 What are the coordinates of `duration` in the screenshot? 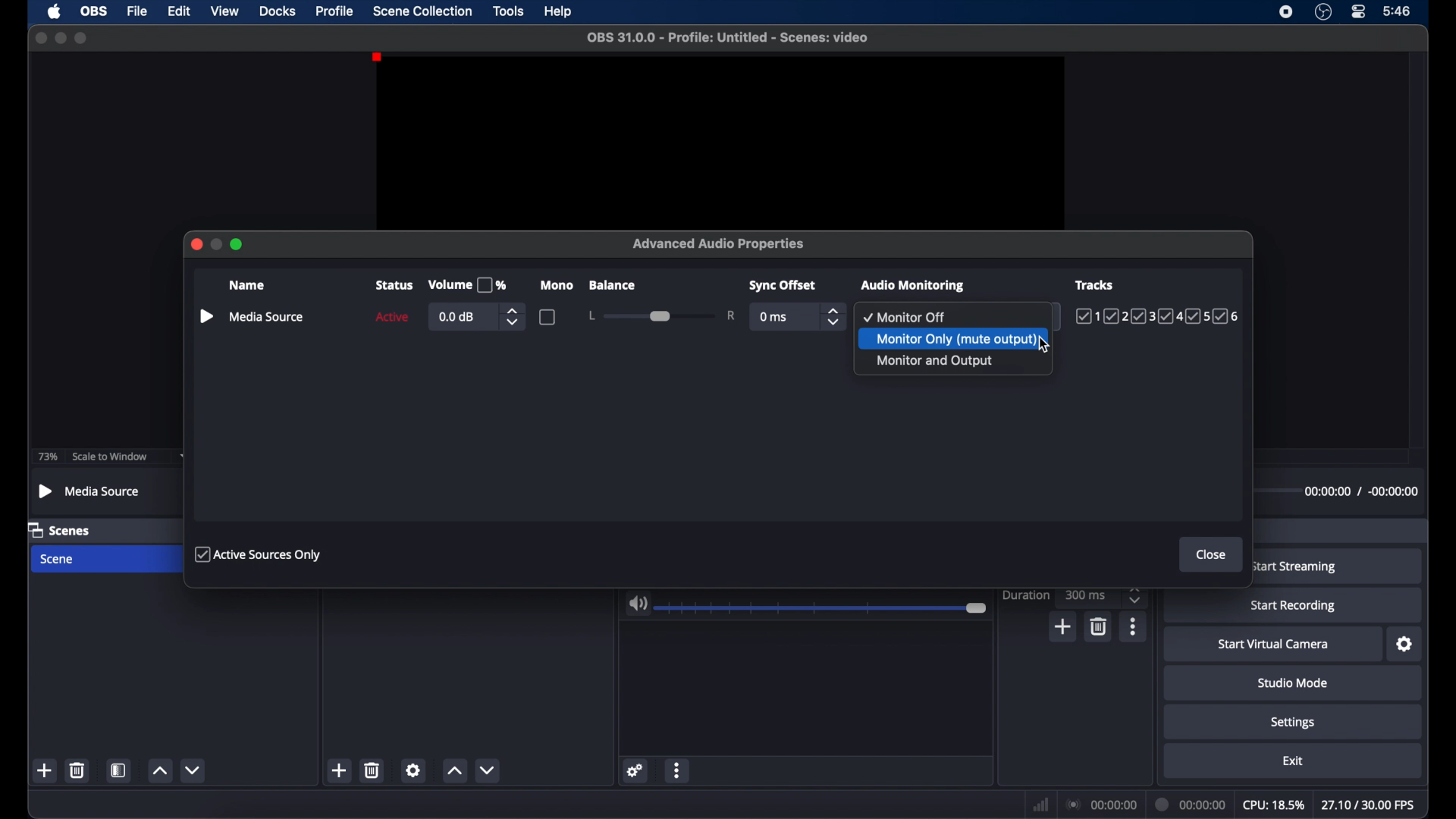 It's located at (1188, 804).